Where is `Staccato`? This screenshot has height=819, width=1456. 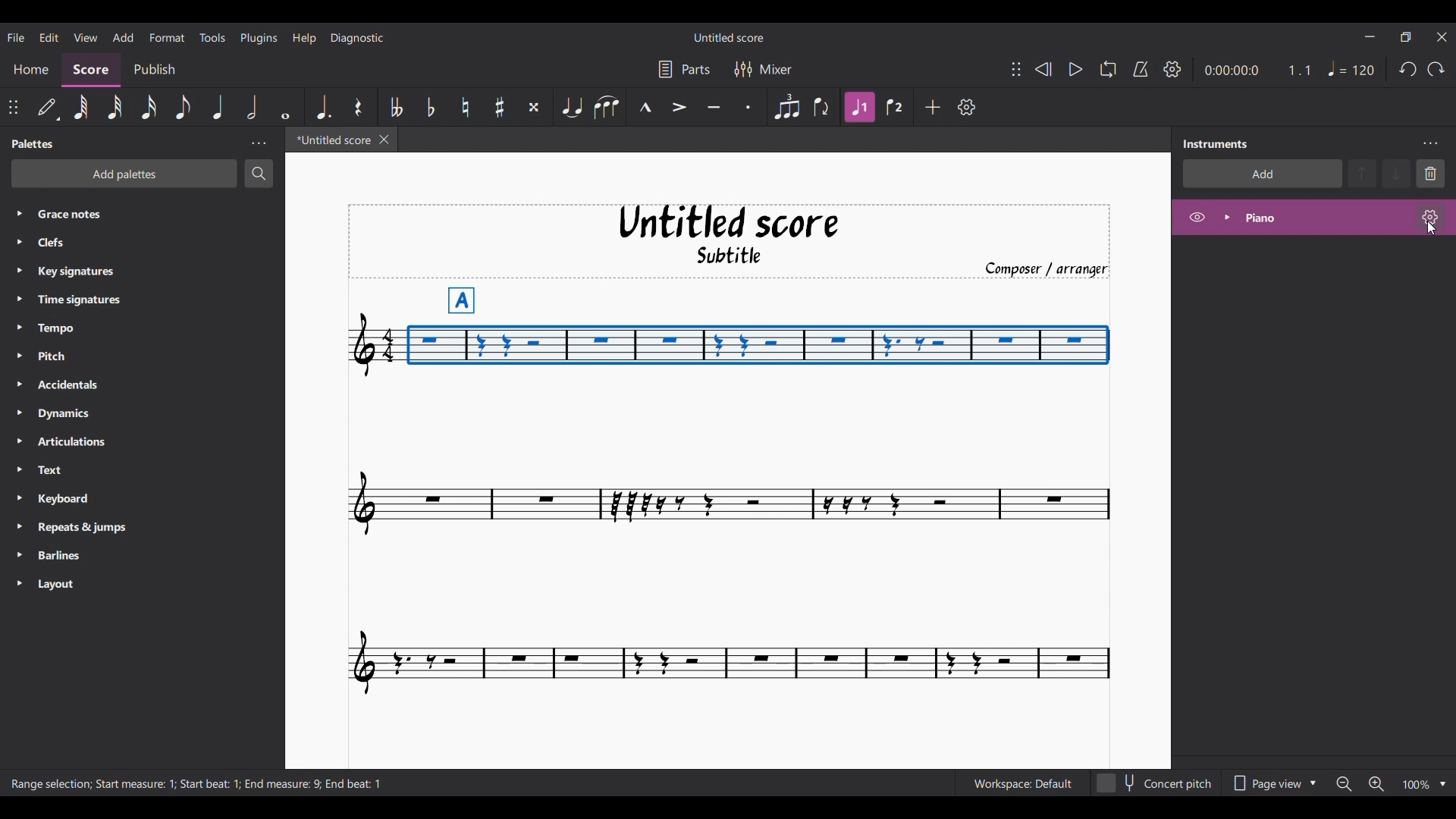
Staccato is located at coordinates (747, 107).